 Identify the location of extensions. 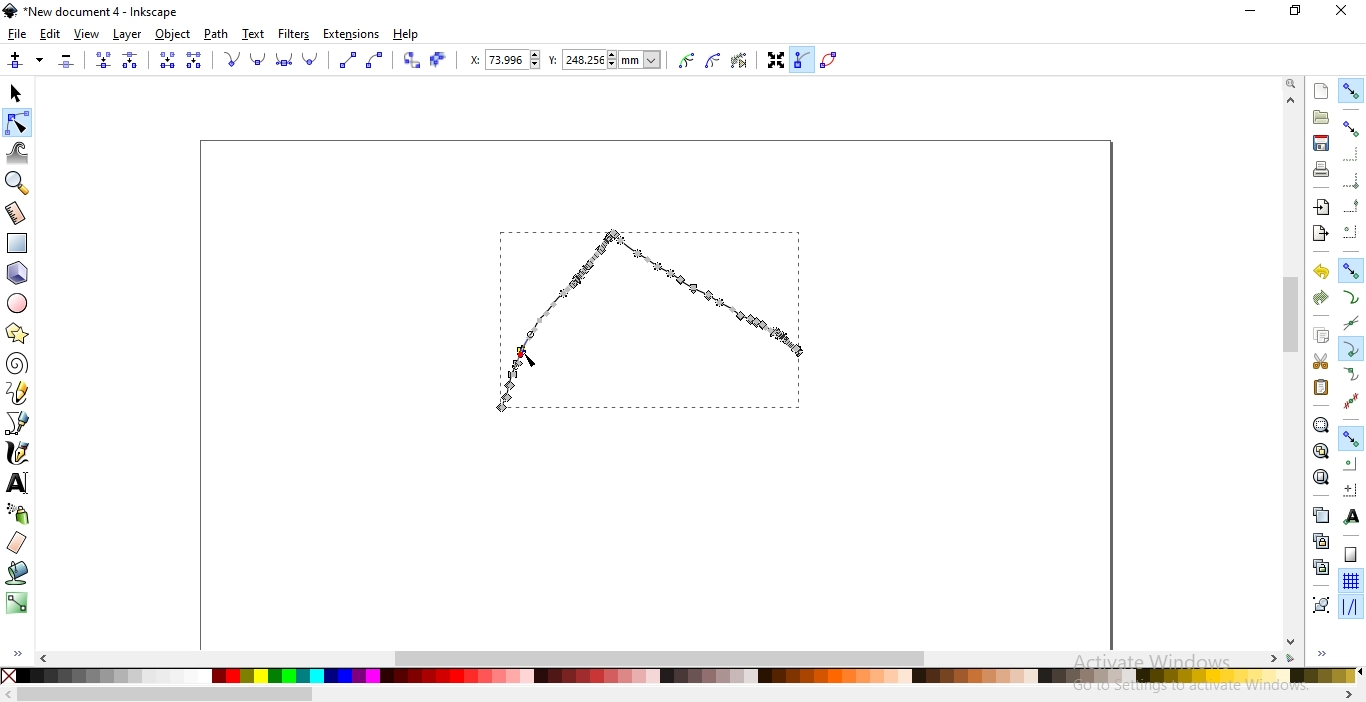
(351, 35).